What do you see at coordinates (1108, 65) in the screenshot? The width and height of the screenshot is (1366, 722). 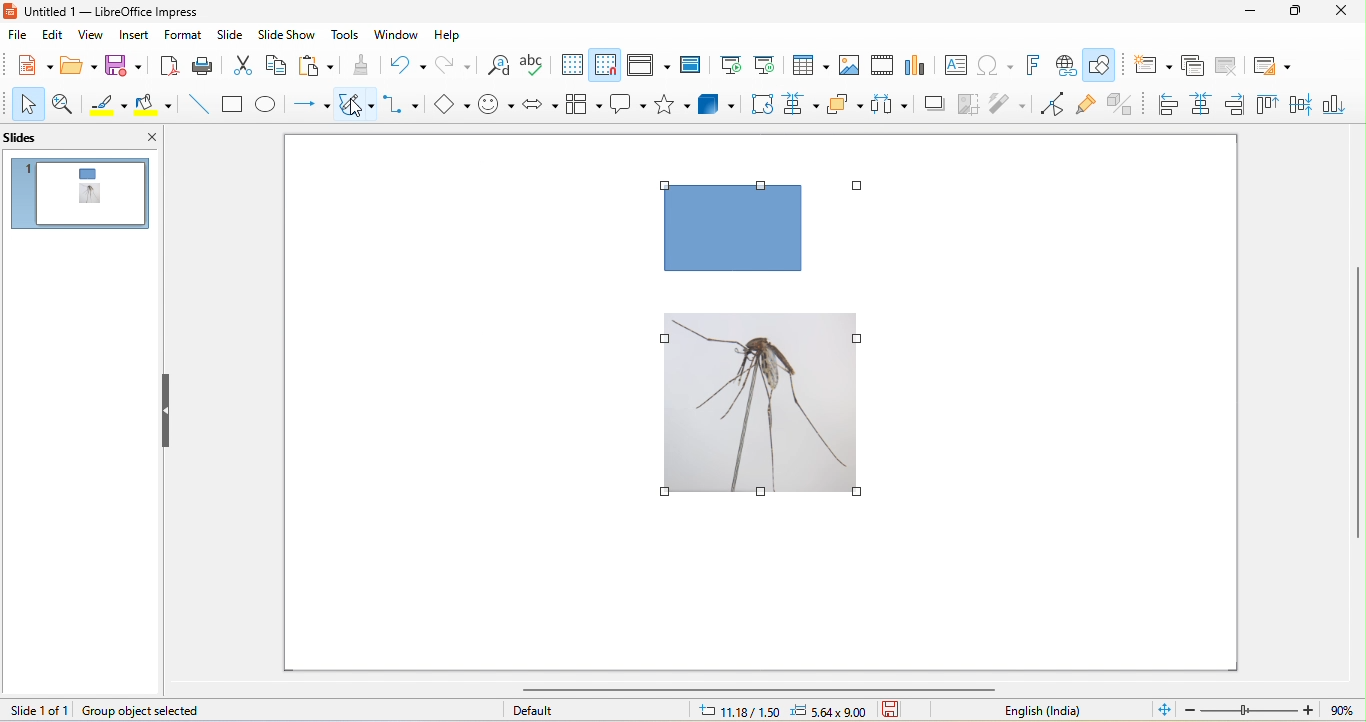 I see `show draw function` at bounding box center [1108, 65].